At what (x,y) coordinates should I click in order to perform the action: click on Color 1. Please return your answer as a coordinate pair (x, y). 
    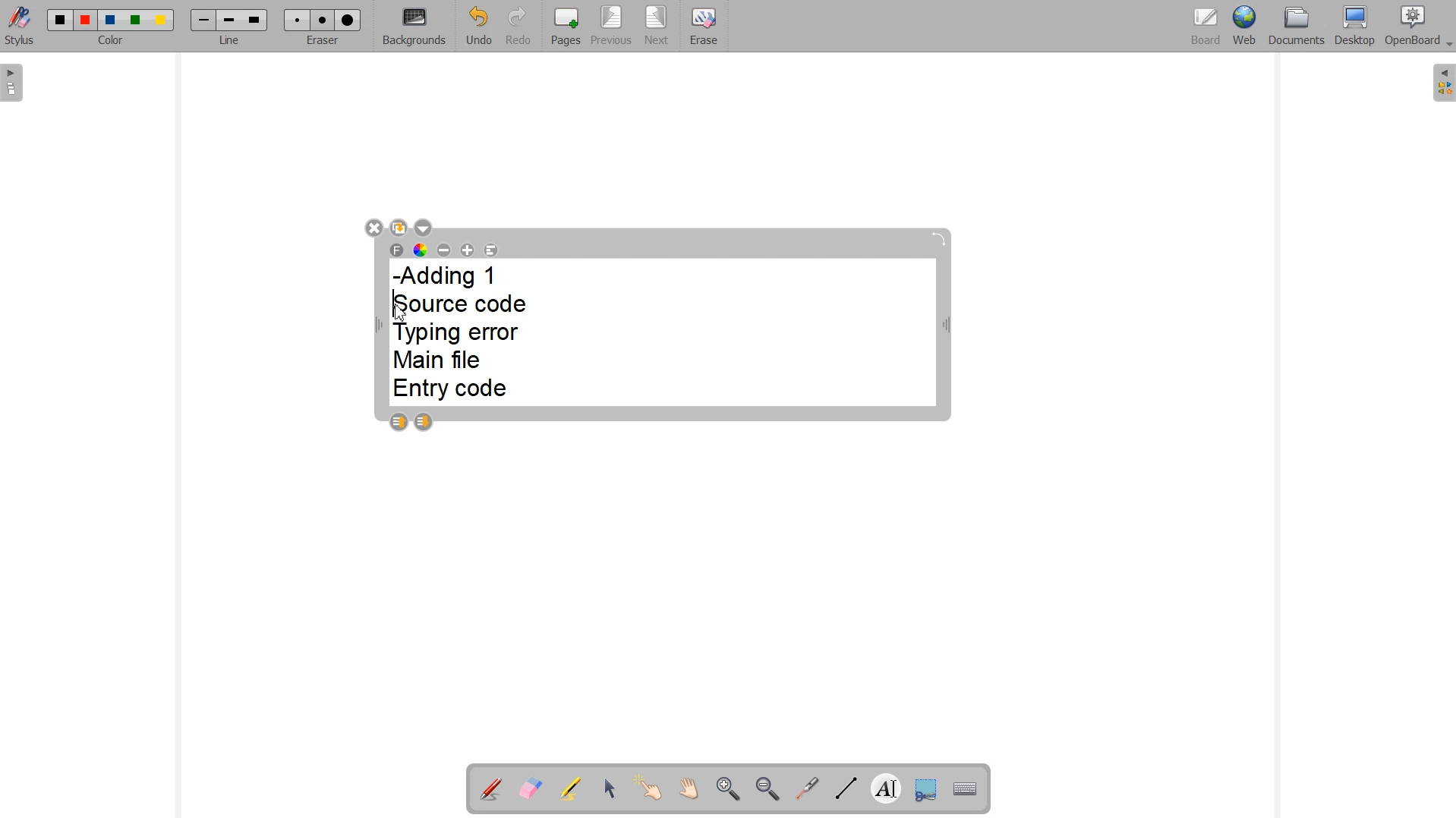
    Looking at the image, I should click on (61, 20).